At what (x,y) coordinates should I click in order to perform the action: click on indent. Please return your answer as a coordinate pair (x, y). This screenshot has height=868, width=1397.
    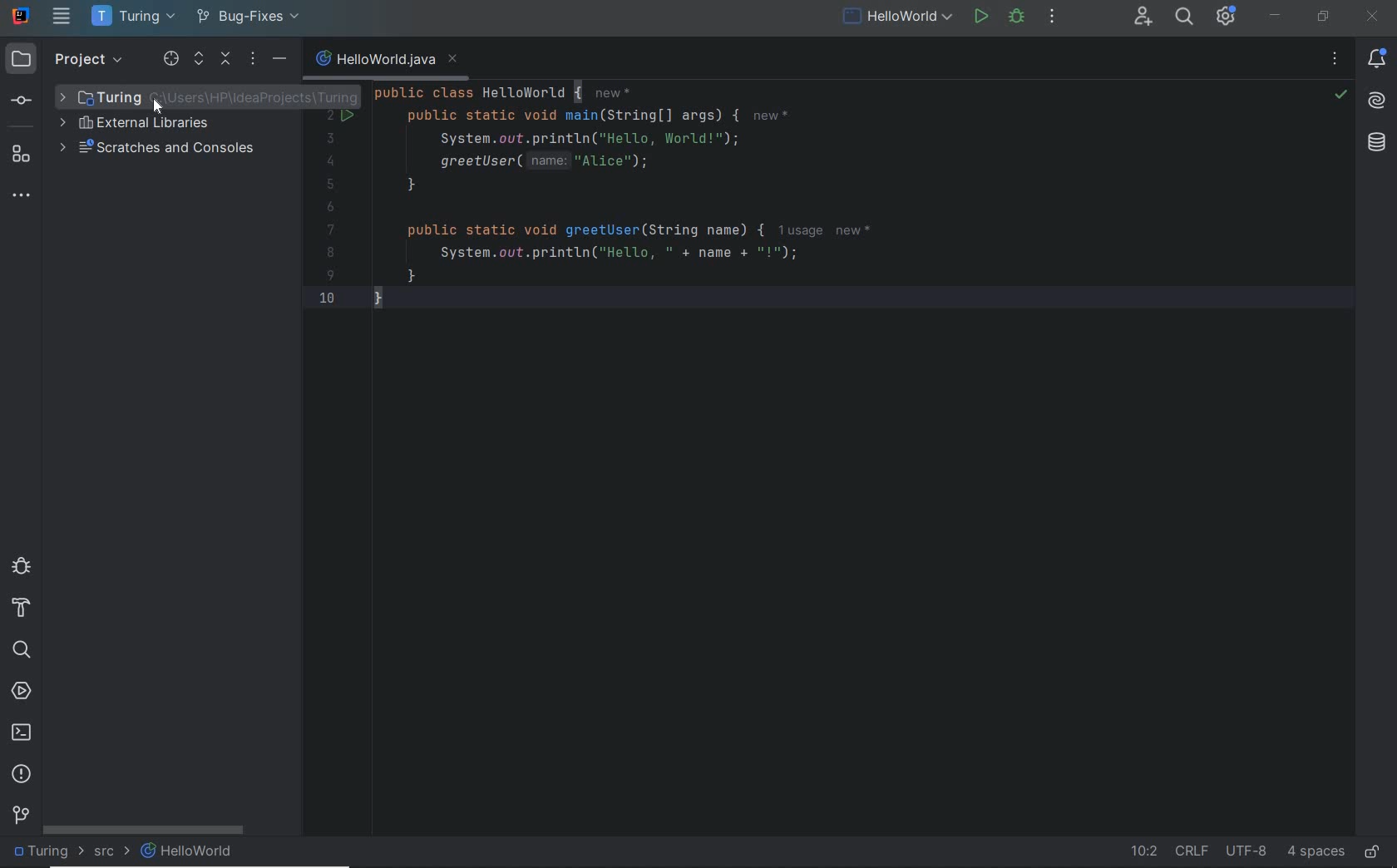
    Looking at the image, I should click on (1316, 852).